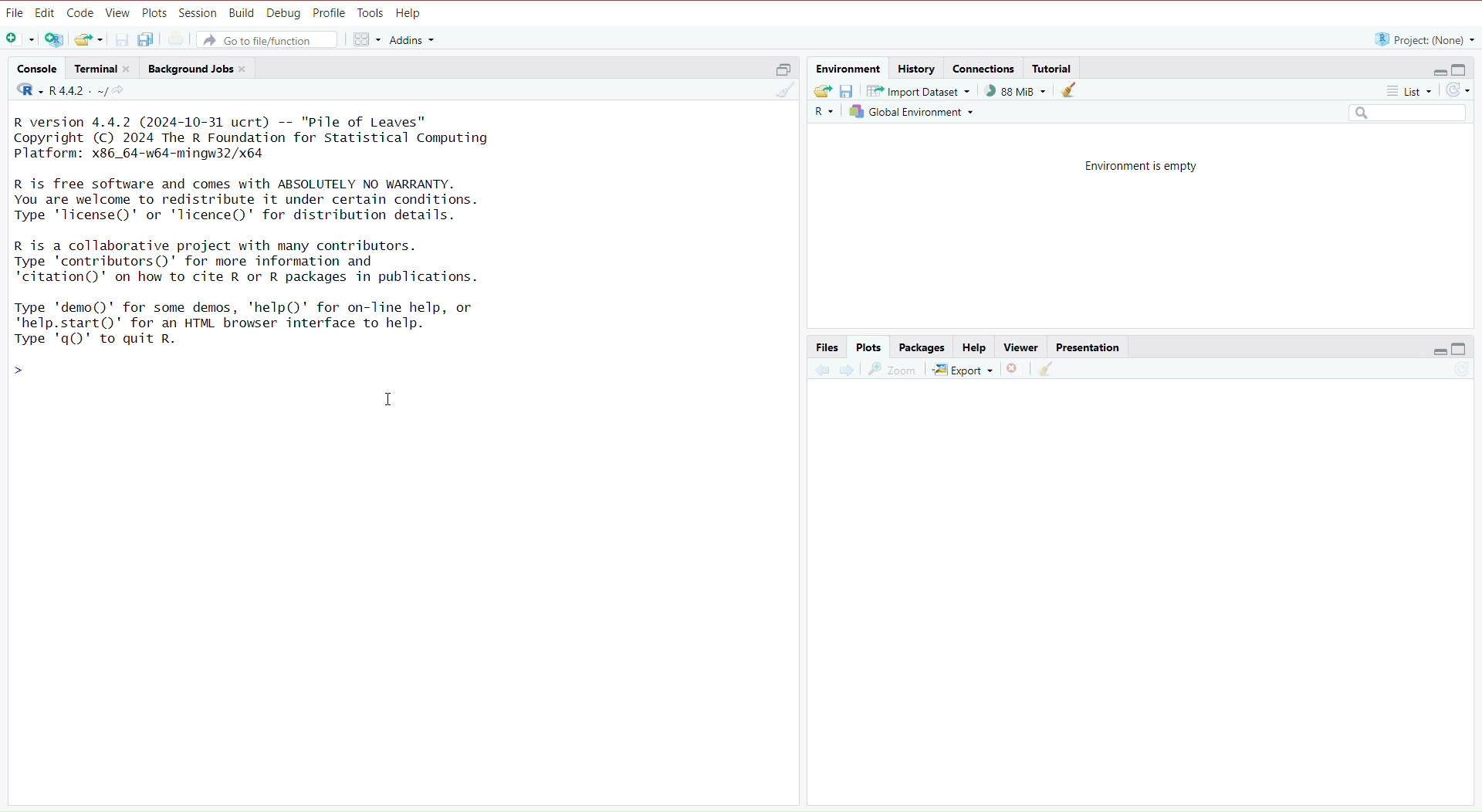 This screenshot has height=812, width=1482. What do you see at coordinates (869, 347) in the screenshot?
I see `plots` at bounding box center [869, 347].